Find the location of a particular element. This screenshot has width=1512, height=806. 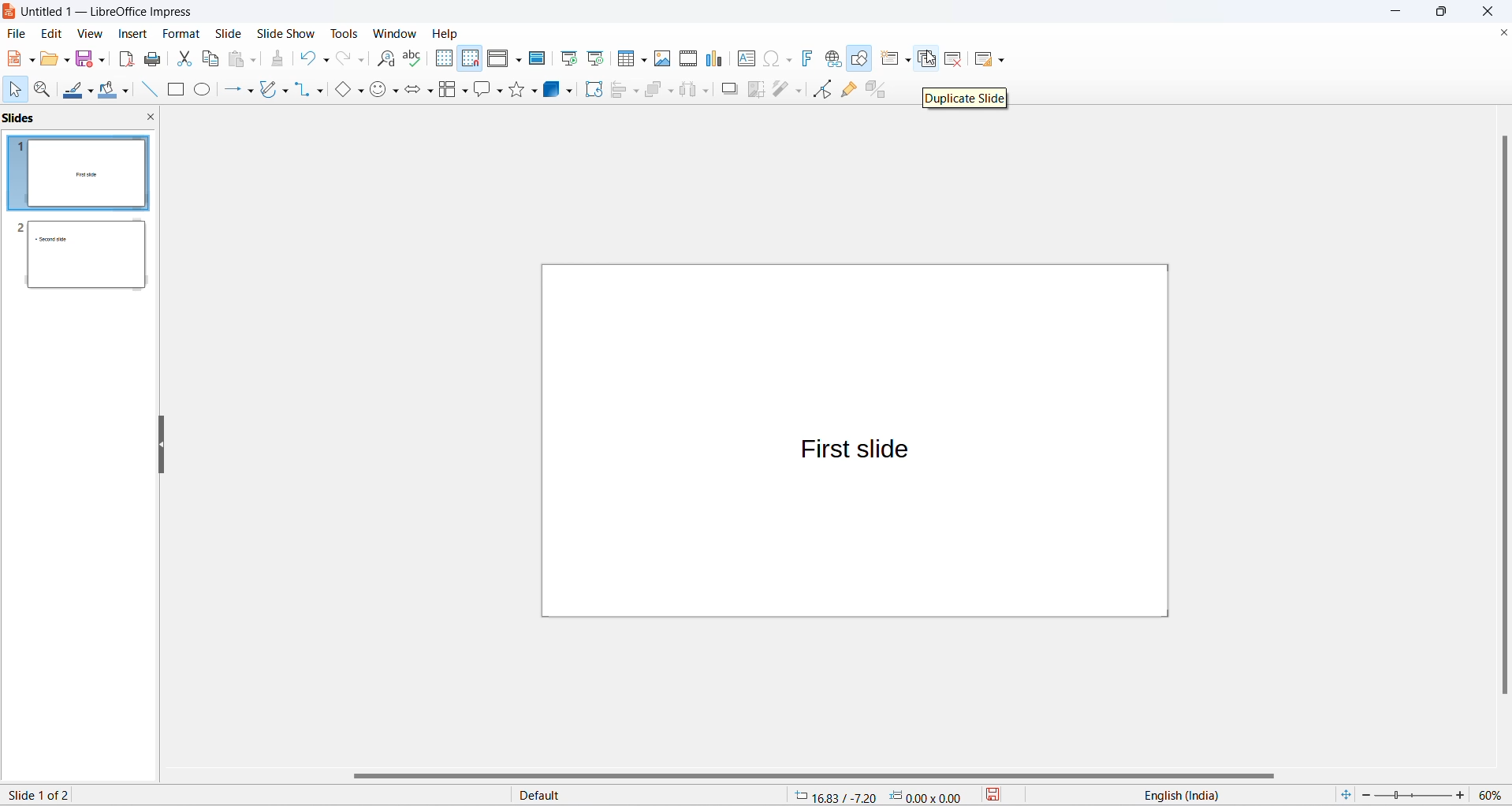

horizontal scroll bar is located at coordinates (818, 775).